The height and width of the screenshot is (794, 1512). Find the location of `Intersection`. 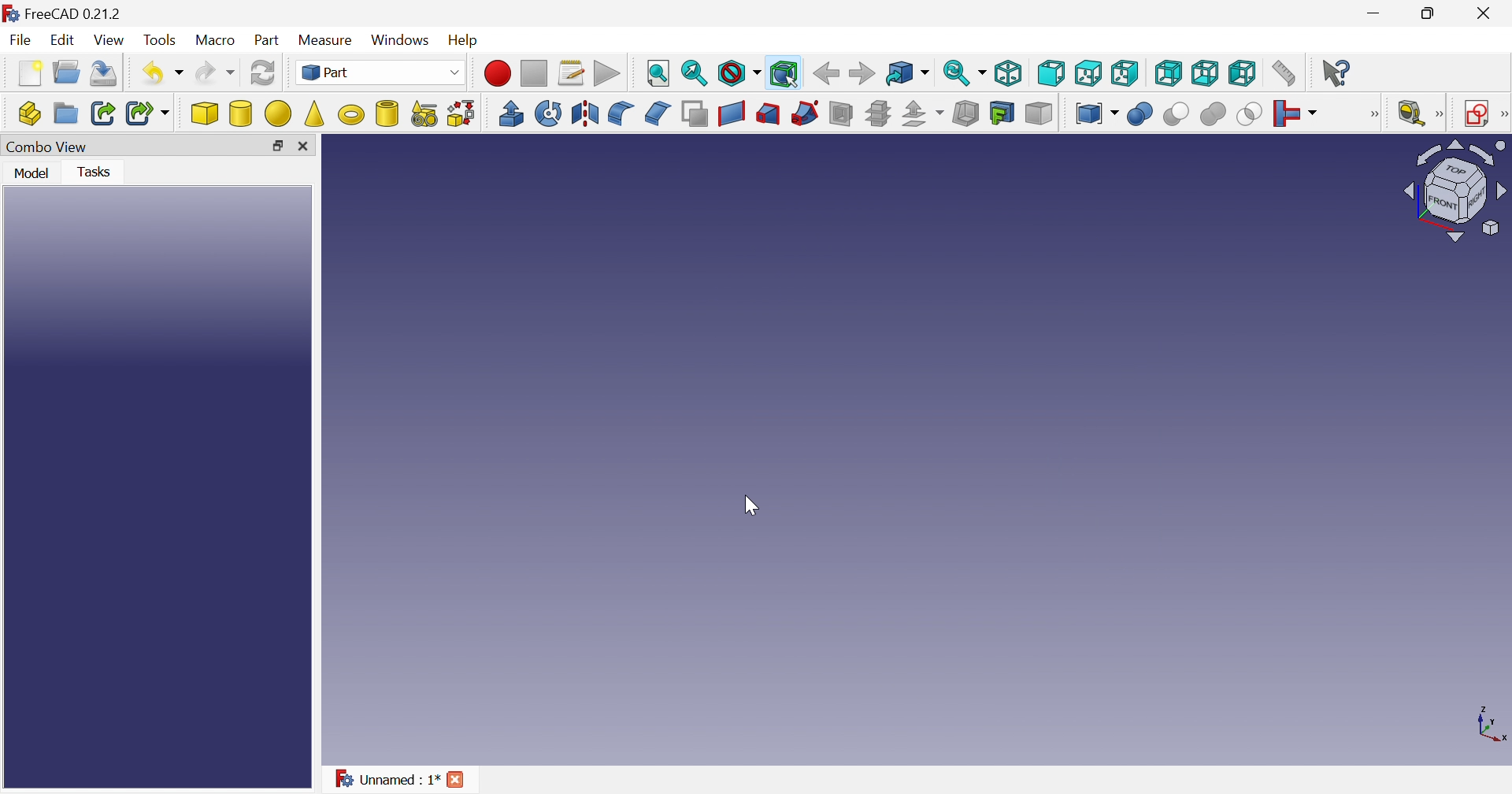

Intersection is located at coordinates (1251, 113).